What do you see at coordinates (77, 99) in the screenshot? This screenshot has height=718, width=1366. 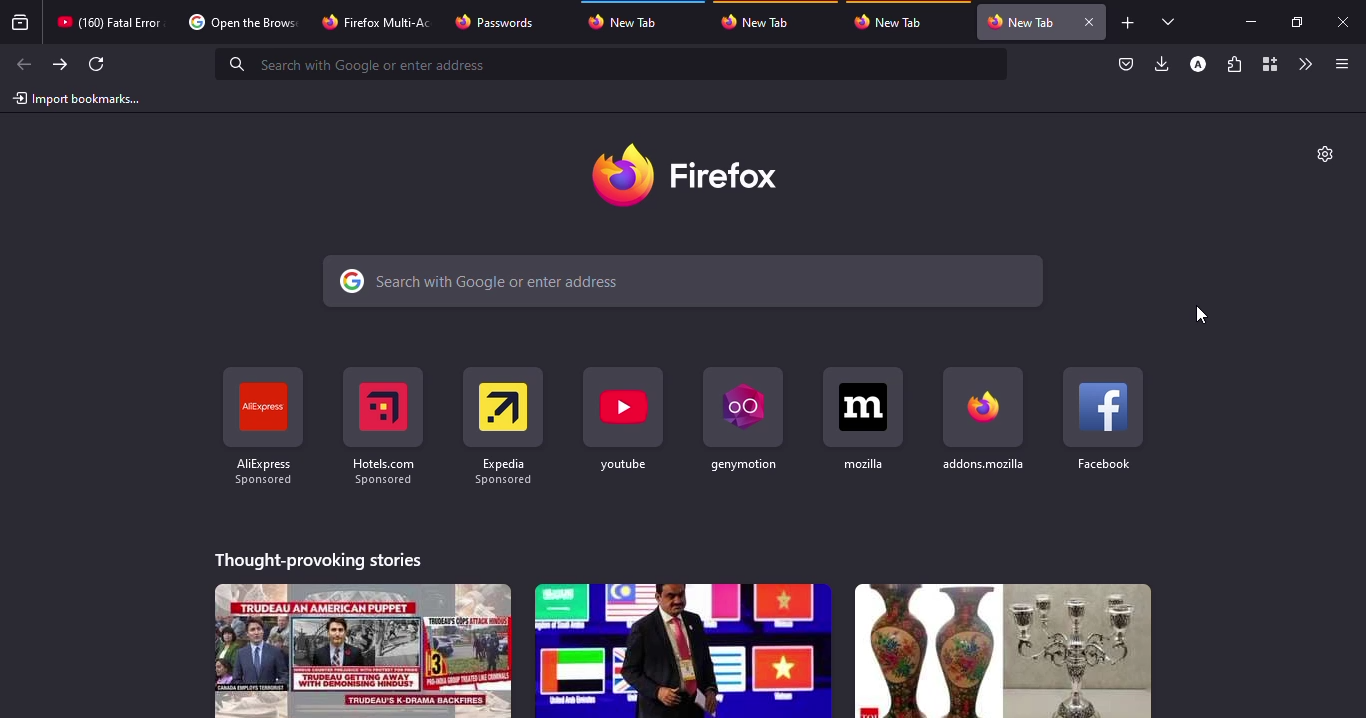 I see `import bookmarks` at bounding box center [77, 99].